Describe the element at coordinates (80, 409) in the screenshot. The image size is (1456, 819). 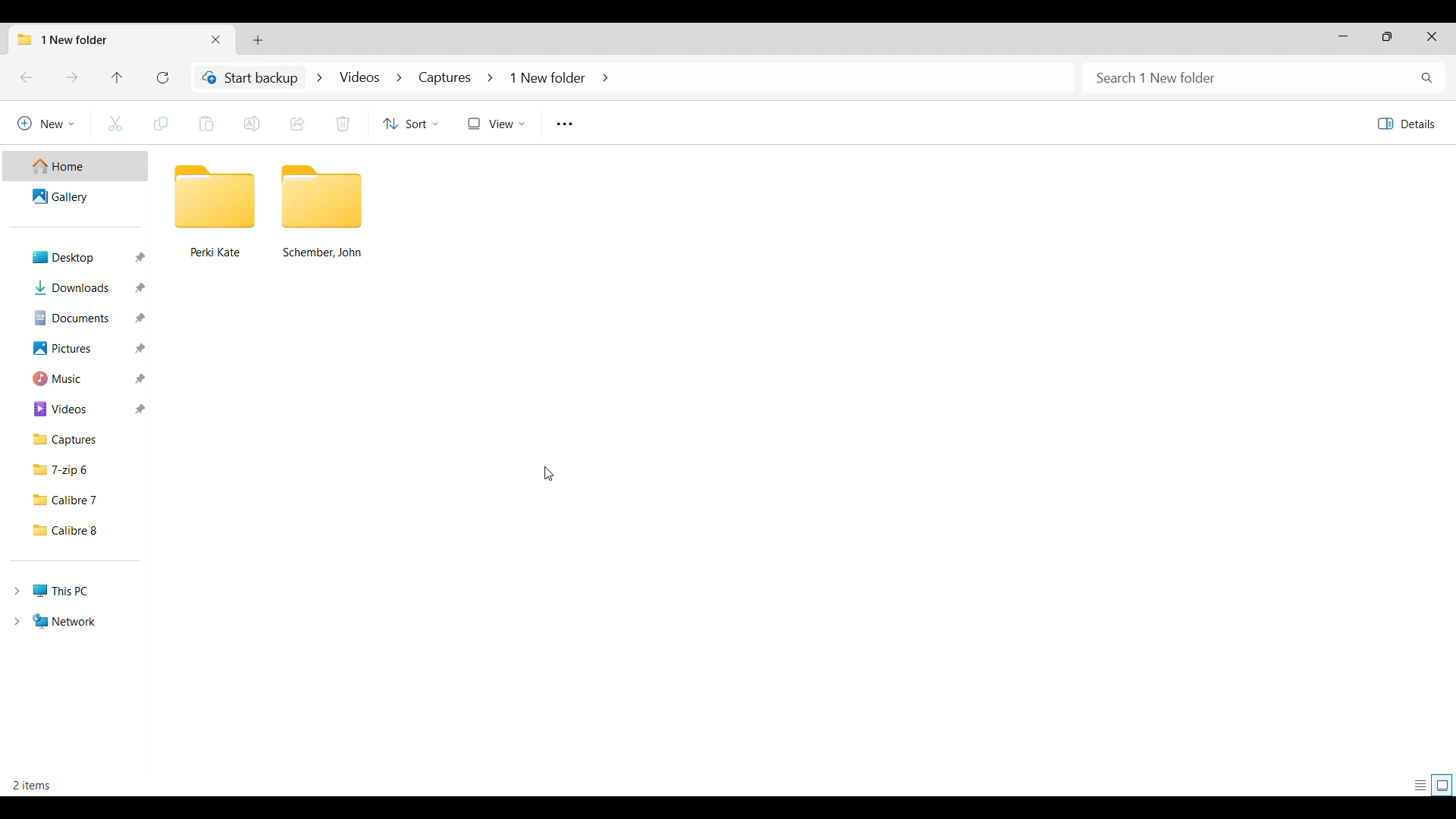
I see `Videos` at that location.